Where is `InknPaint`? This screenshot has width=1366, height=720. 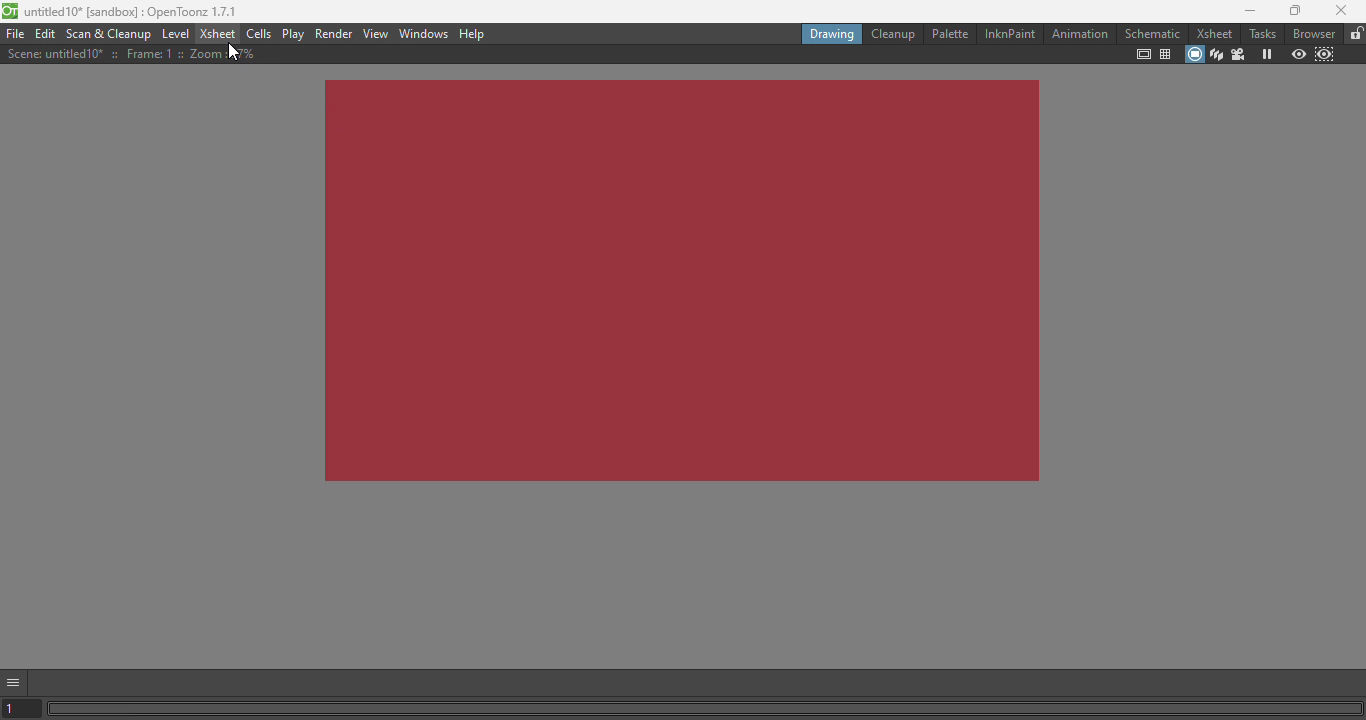
InknPaint is located at coordinates (1009, 33).